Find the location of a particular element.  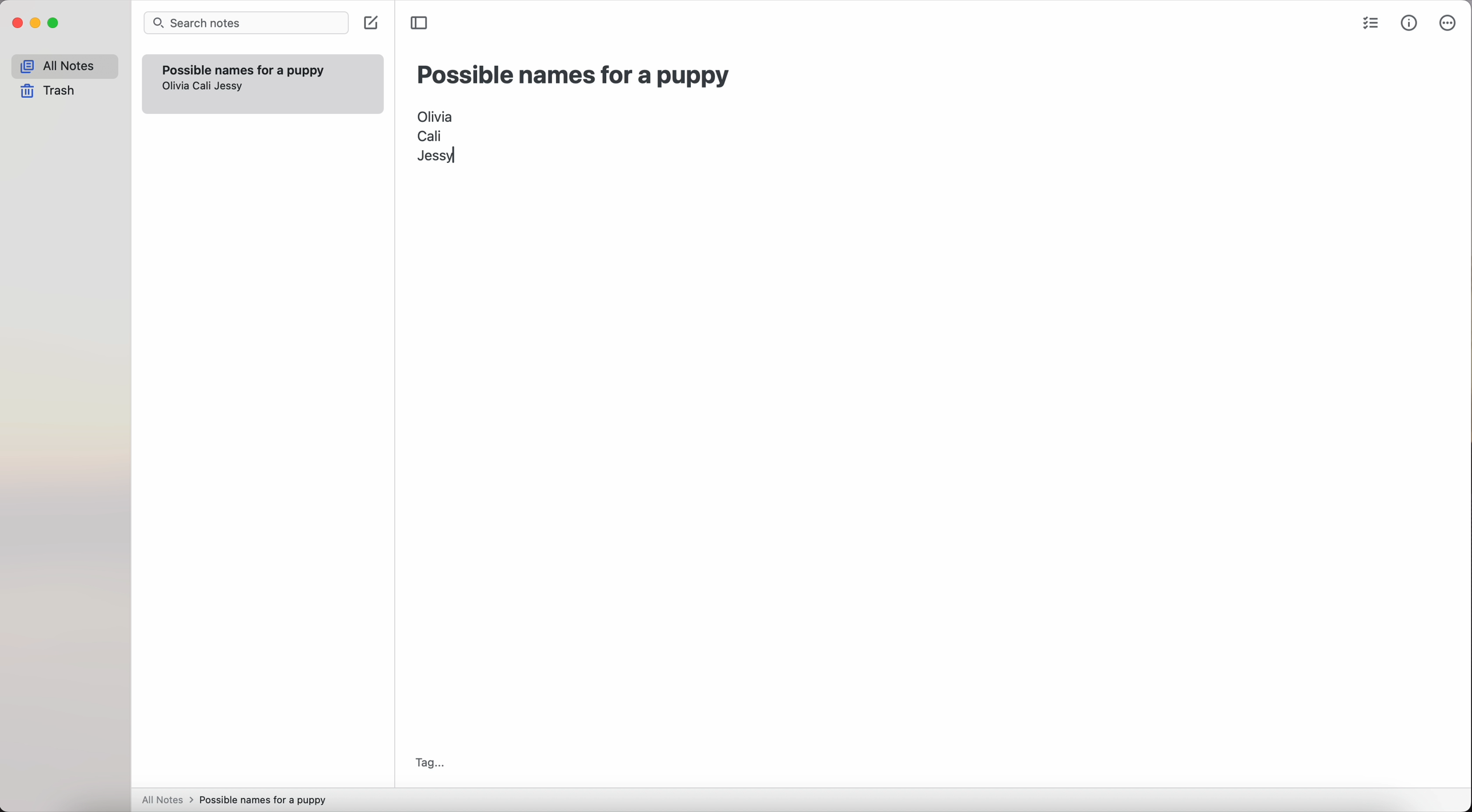

Cali is located at coordinates (206, 87).